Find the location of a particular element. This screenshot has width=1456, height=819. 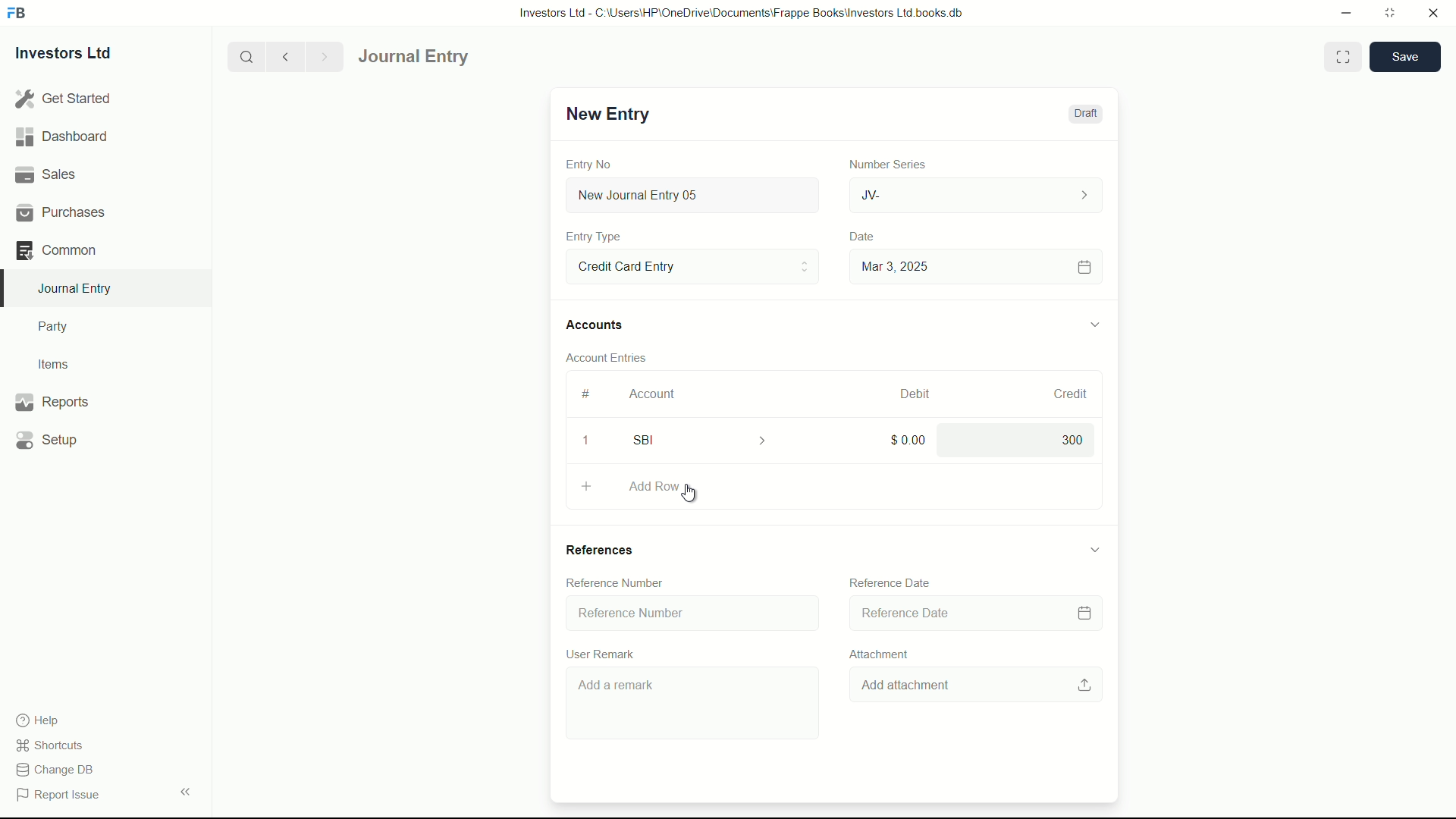

Entry Type is located at coordinates (594, 237).